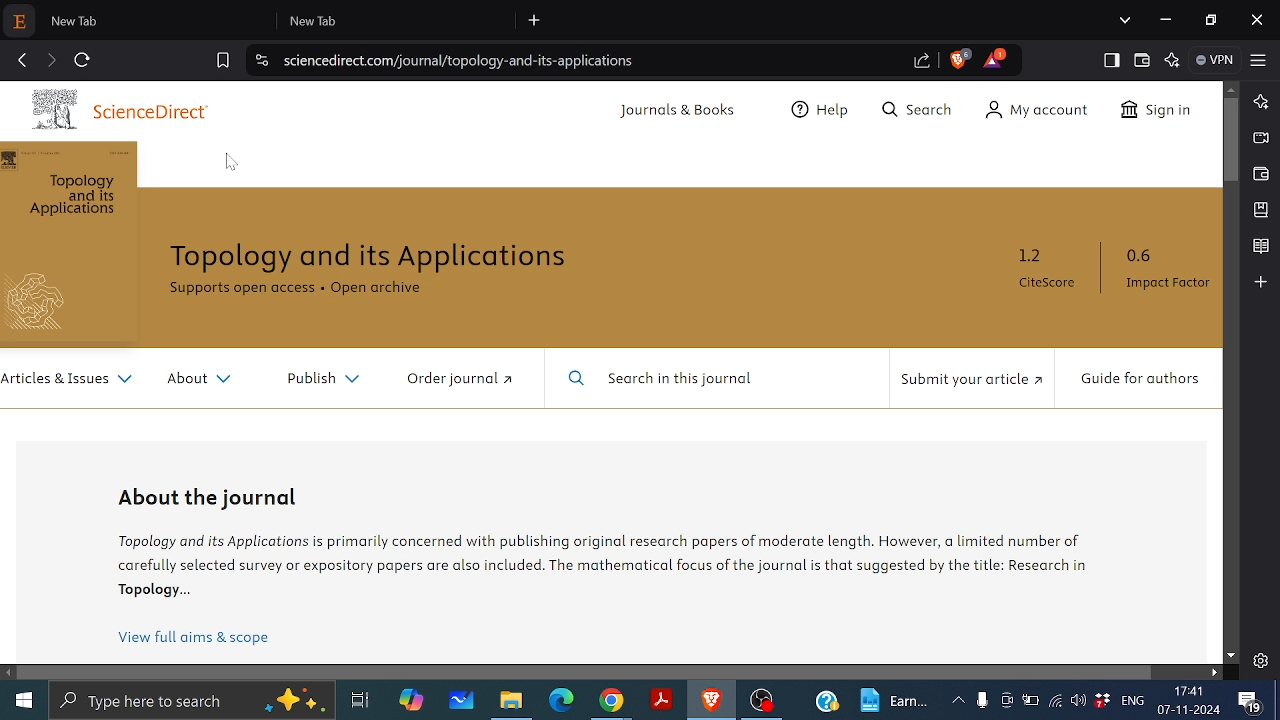 This screenshot has width=1280, height=720. Describe the element at coordinates (534, 22) in the screenshot. I see `Add a new tab` at that location.